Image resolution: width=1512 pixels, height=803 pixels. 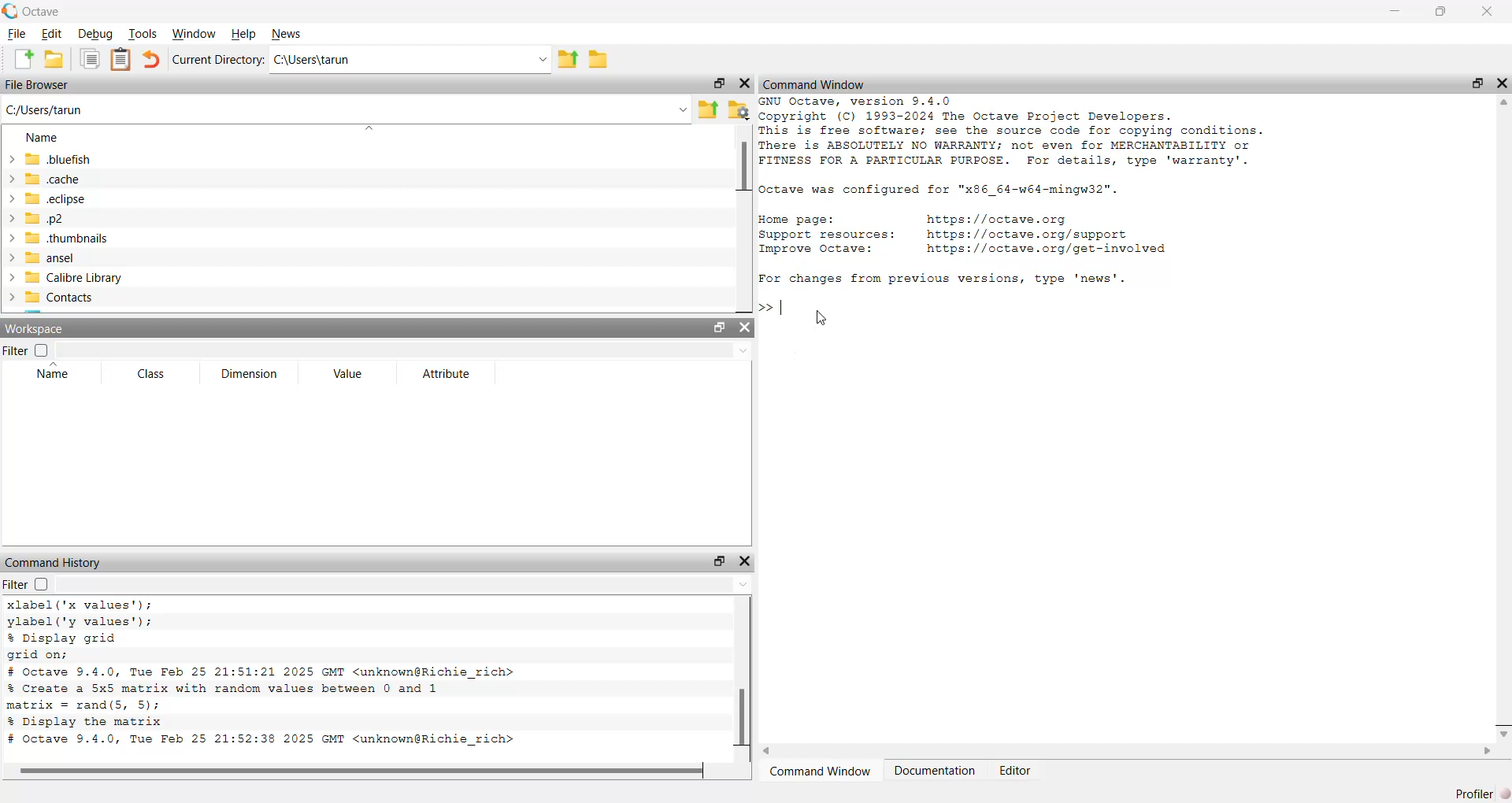 What do you see at coordinates (46, 139) in the screenshot?
I see `Name` at bounding box center [46, 139].